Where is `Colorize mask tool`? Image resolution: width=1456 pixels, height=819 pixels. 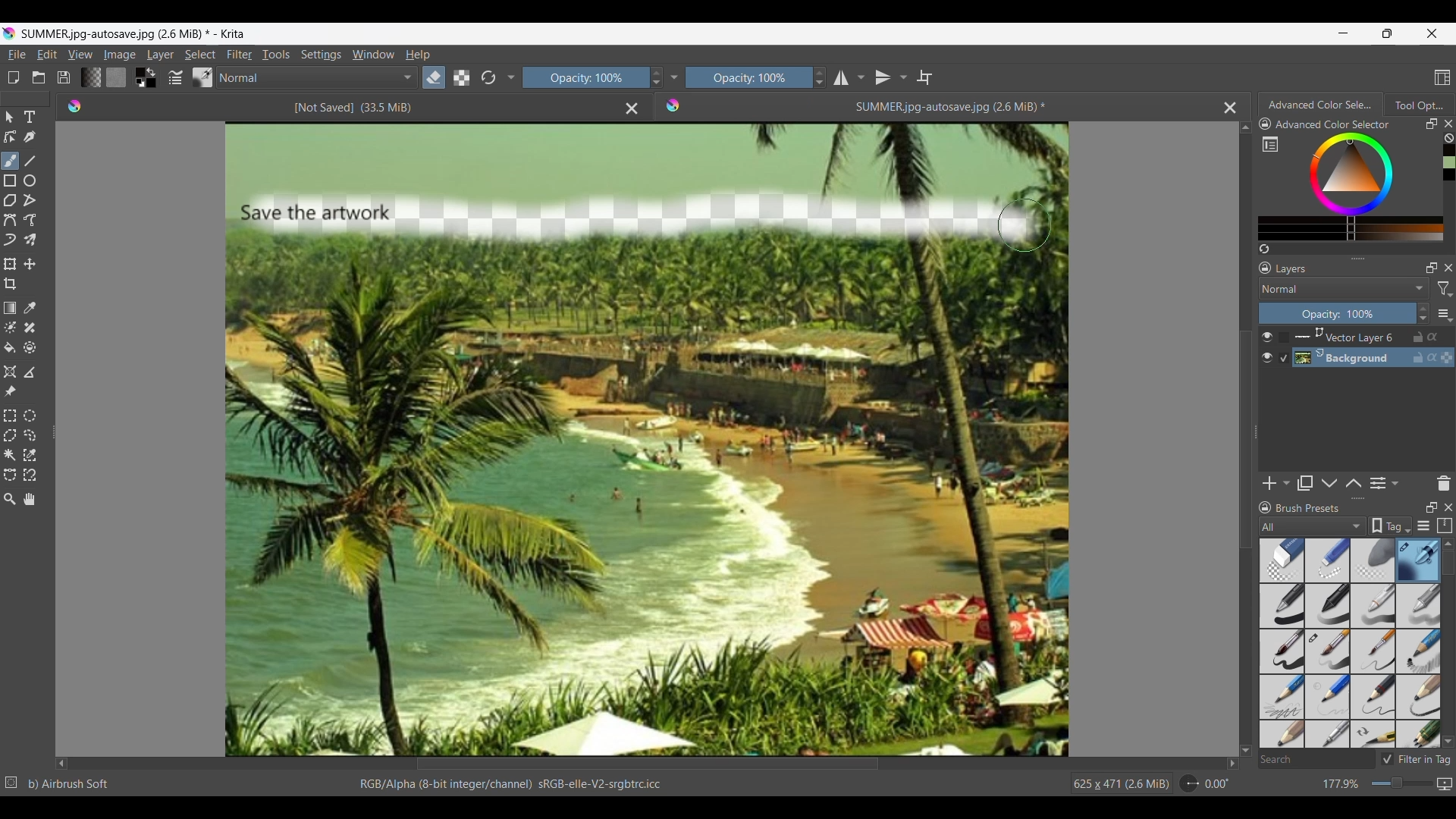
Colorize mask tool is located at coordinates (11, 327).